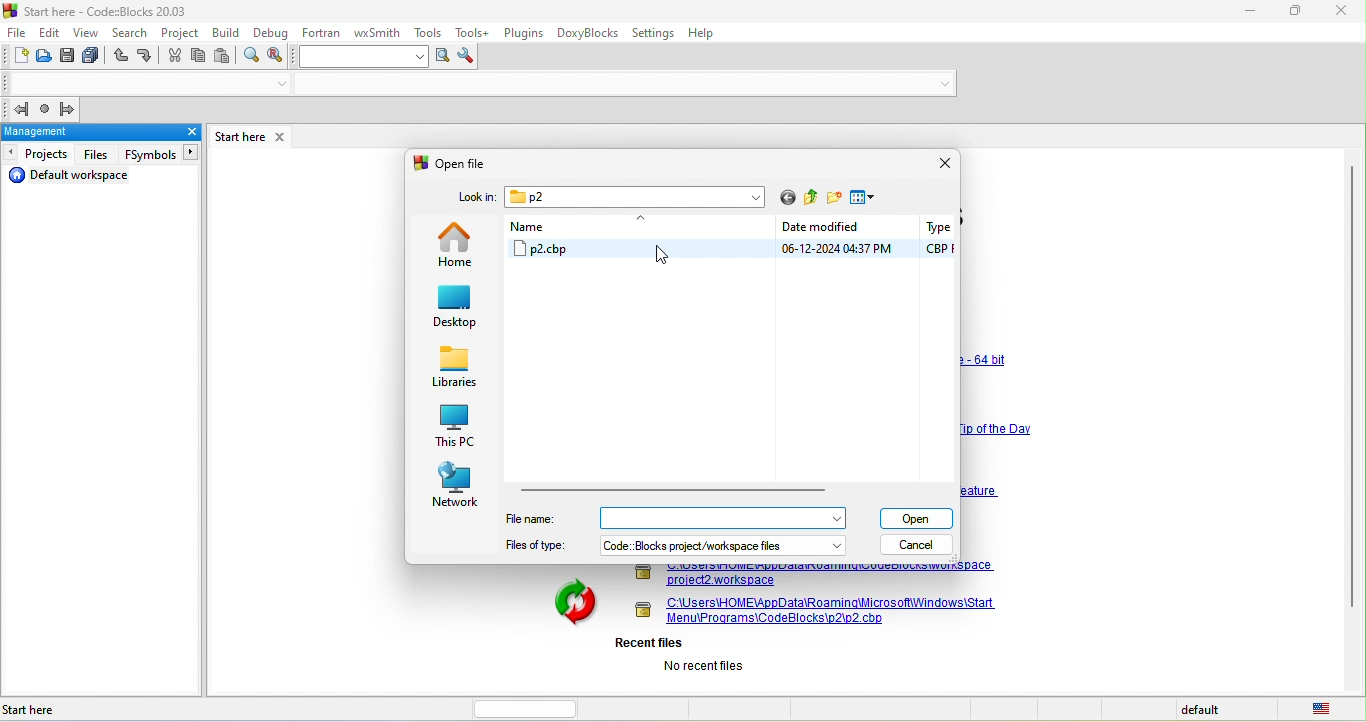 This screenshot has width=1366, height=722. I want to click on network, so click(456, 485).